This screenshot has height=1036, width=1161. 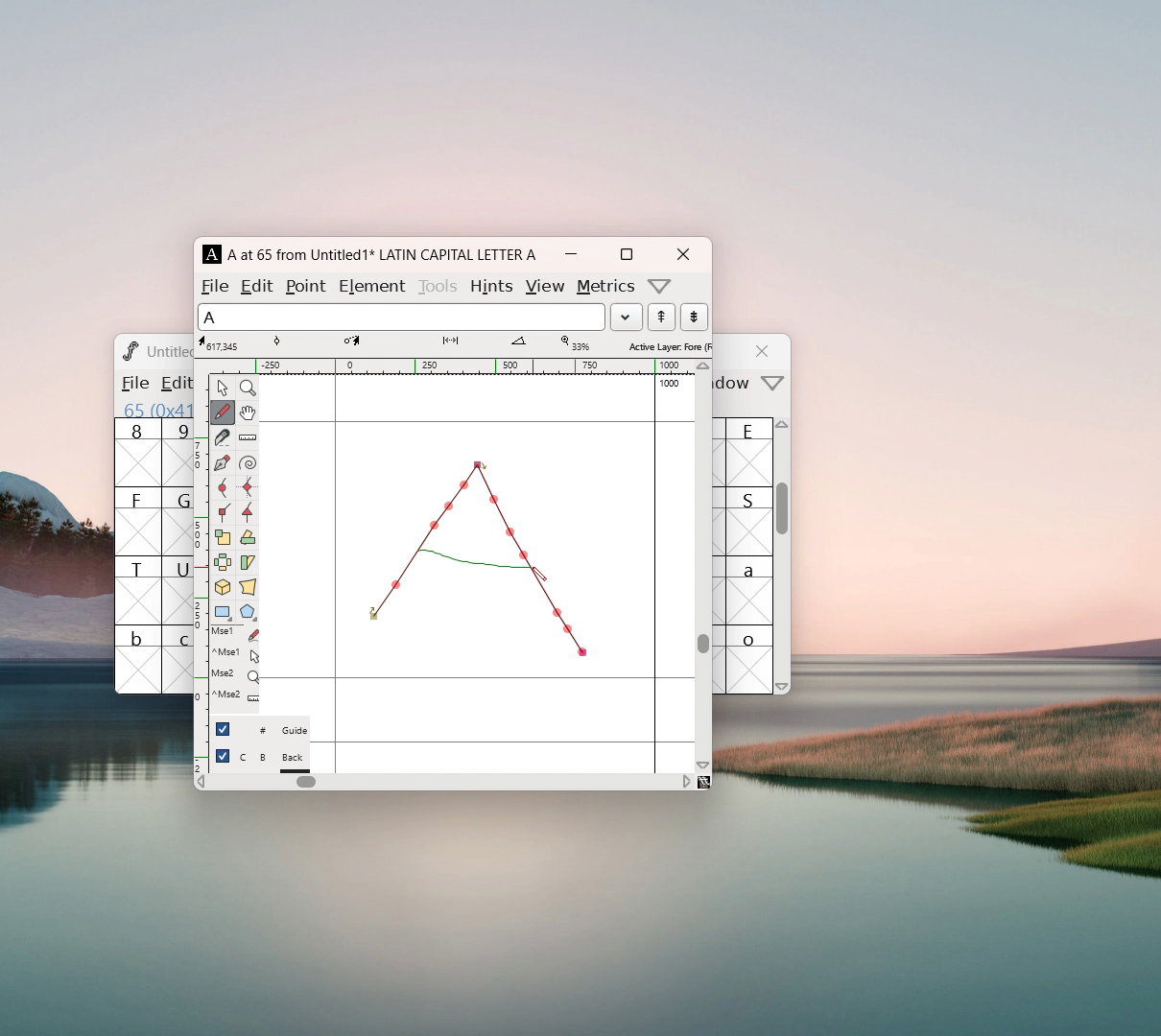 I want to click on add a curve point, so click(x=222, y=488).